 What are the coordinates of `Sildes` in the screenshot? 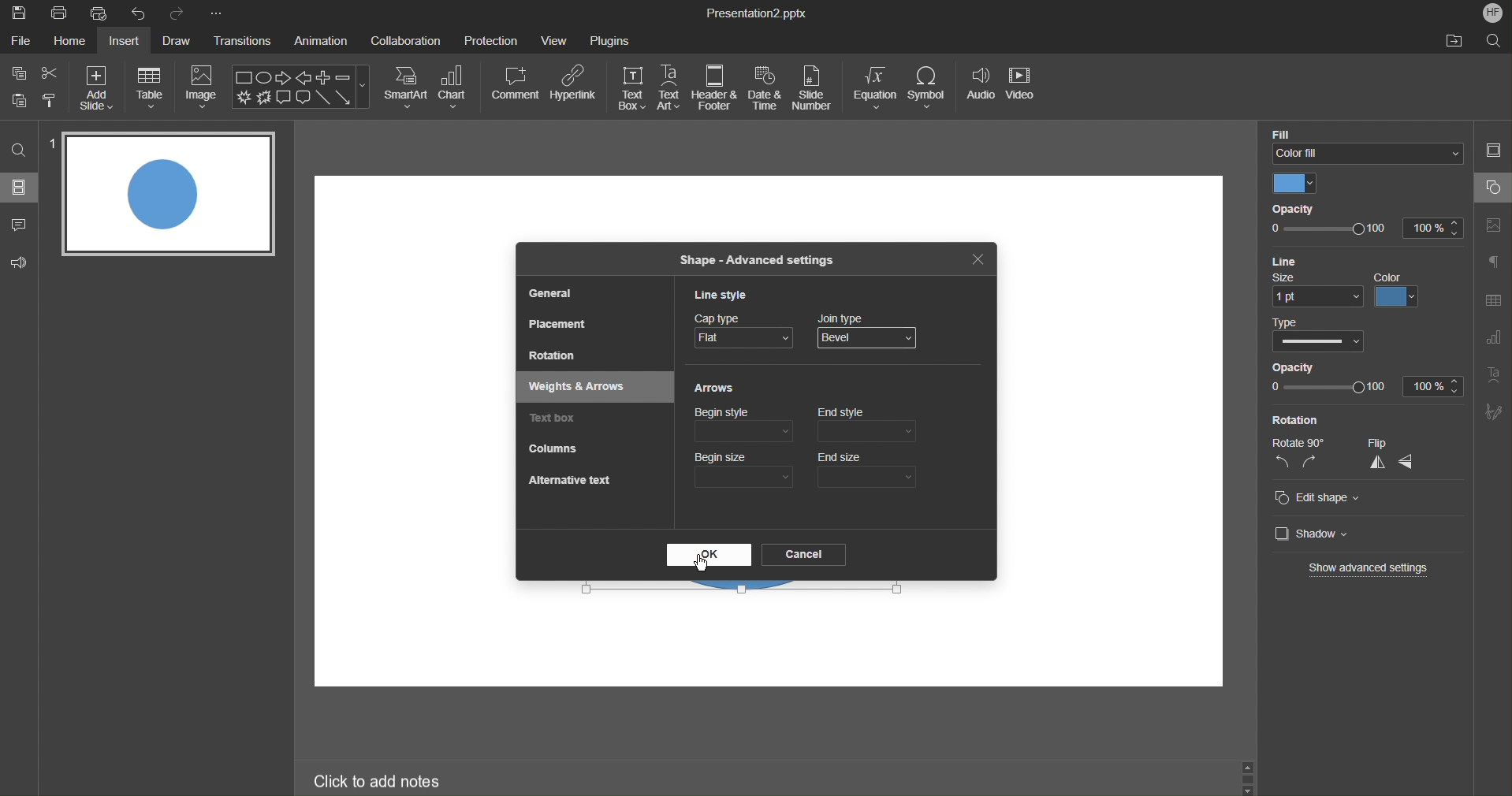 It's located at (20, 187).